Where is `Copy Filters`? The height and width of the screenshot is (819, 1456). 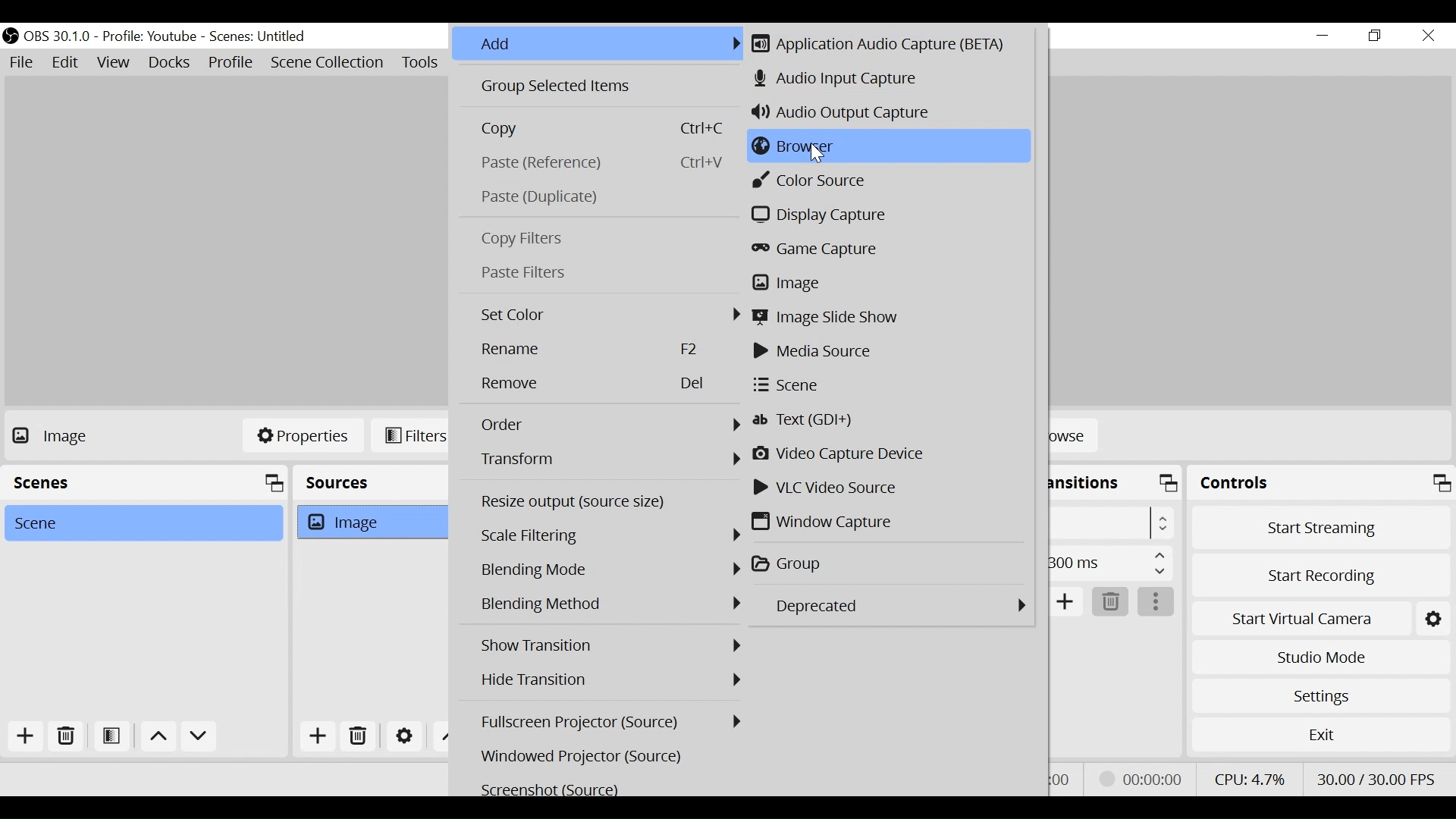 Copy Filters is located at coordinates (604, 240).